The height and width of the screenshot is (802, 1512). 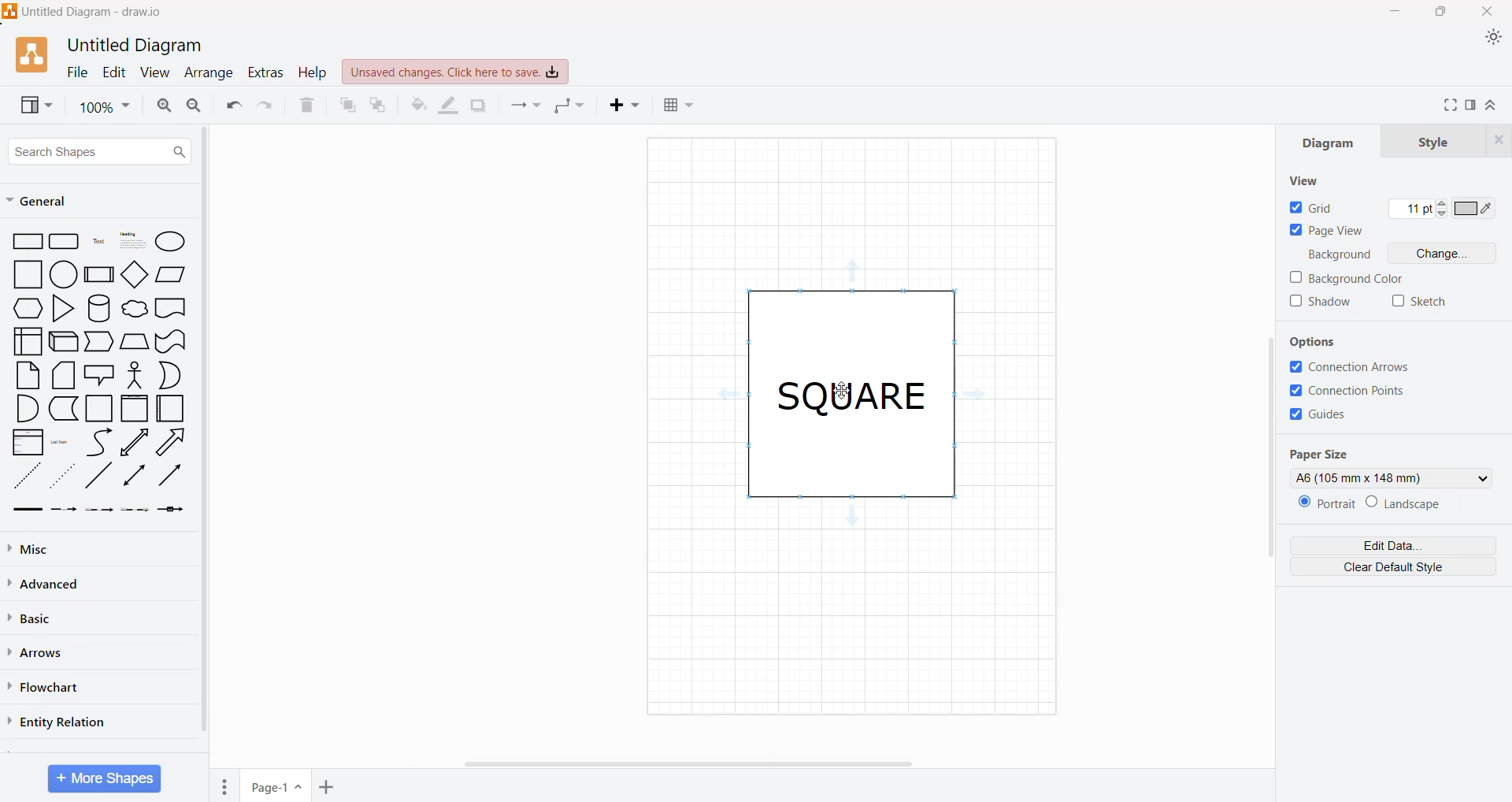 I want to click on Diamond, so click(x=135, y=273).